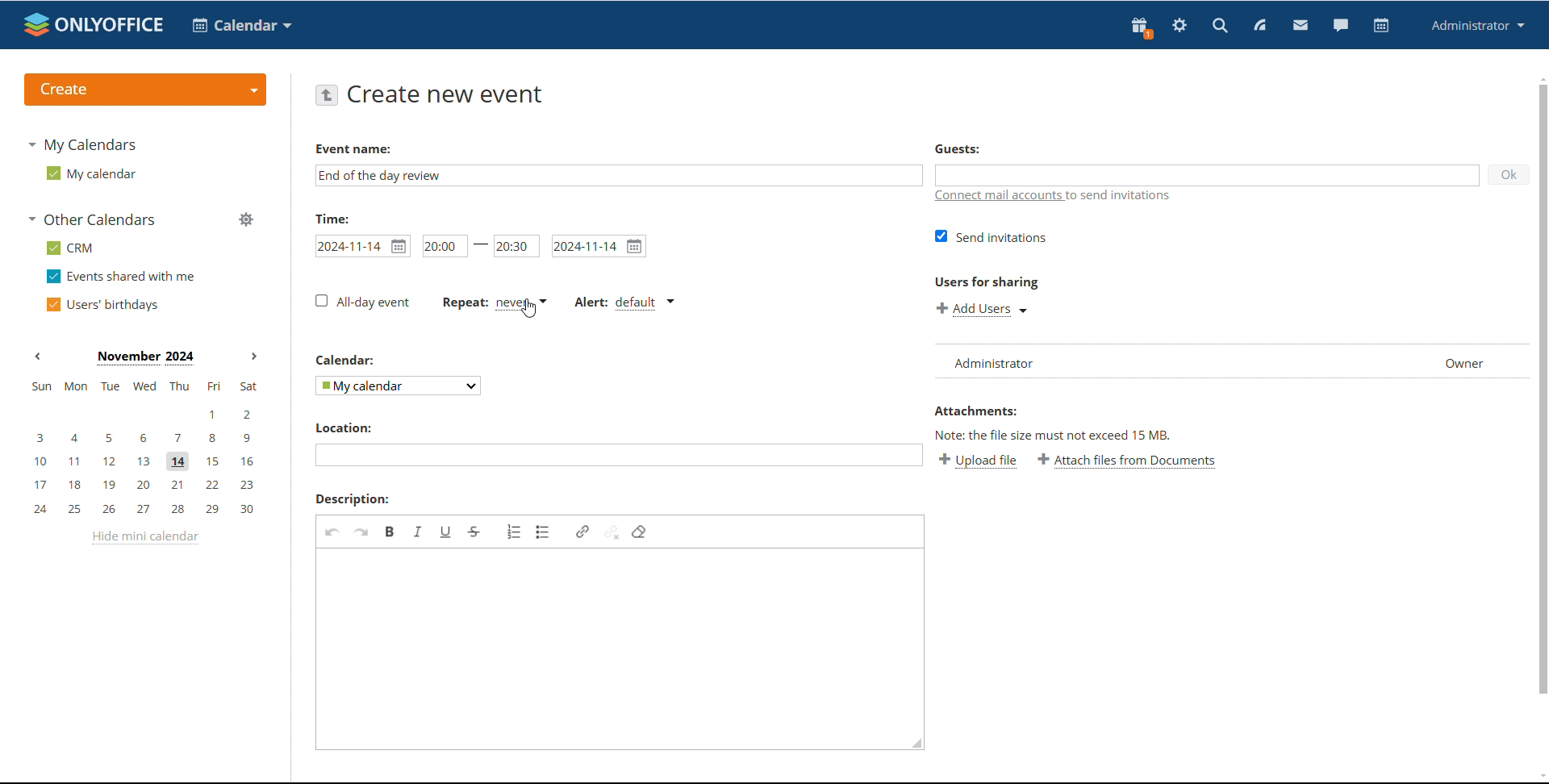  Describe the element at coordinates (1478, 25) in the screenshot. I see `profile` at that location.